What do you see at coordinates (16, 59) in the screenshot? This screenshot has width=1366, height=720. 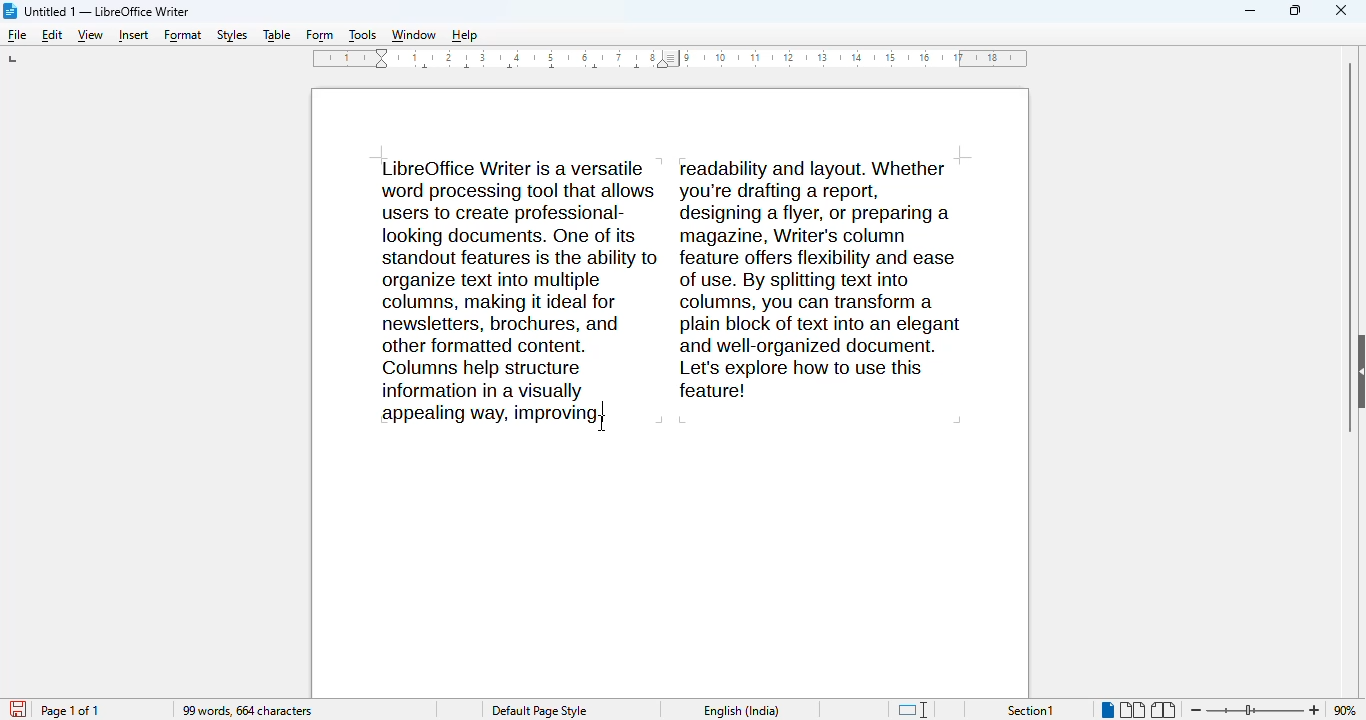 I see `left tab stop option` at bounding box center [16, 59].